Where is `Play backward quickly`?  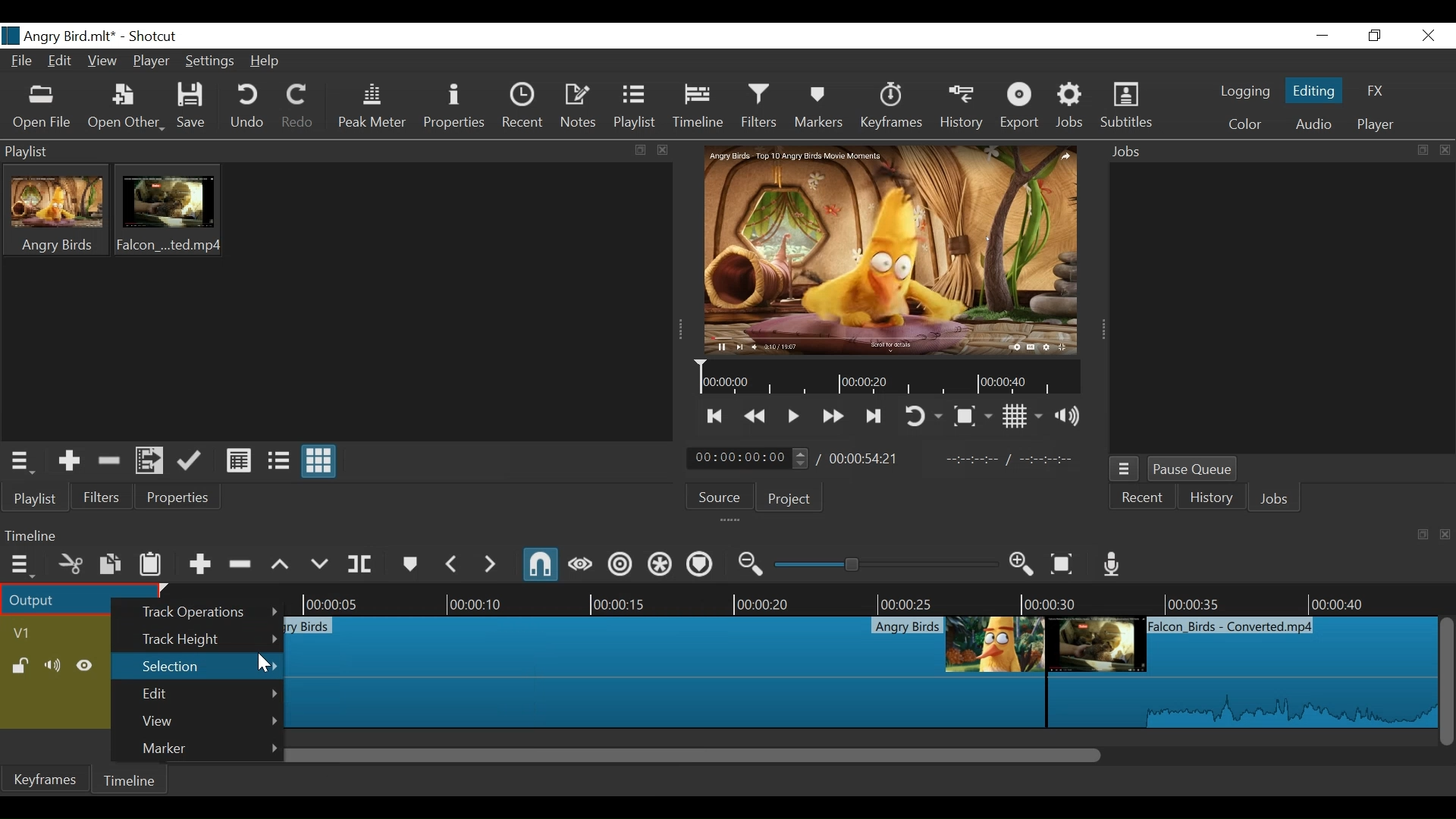 Play backward quickly is located at coordinates (757, 417).